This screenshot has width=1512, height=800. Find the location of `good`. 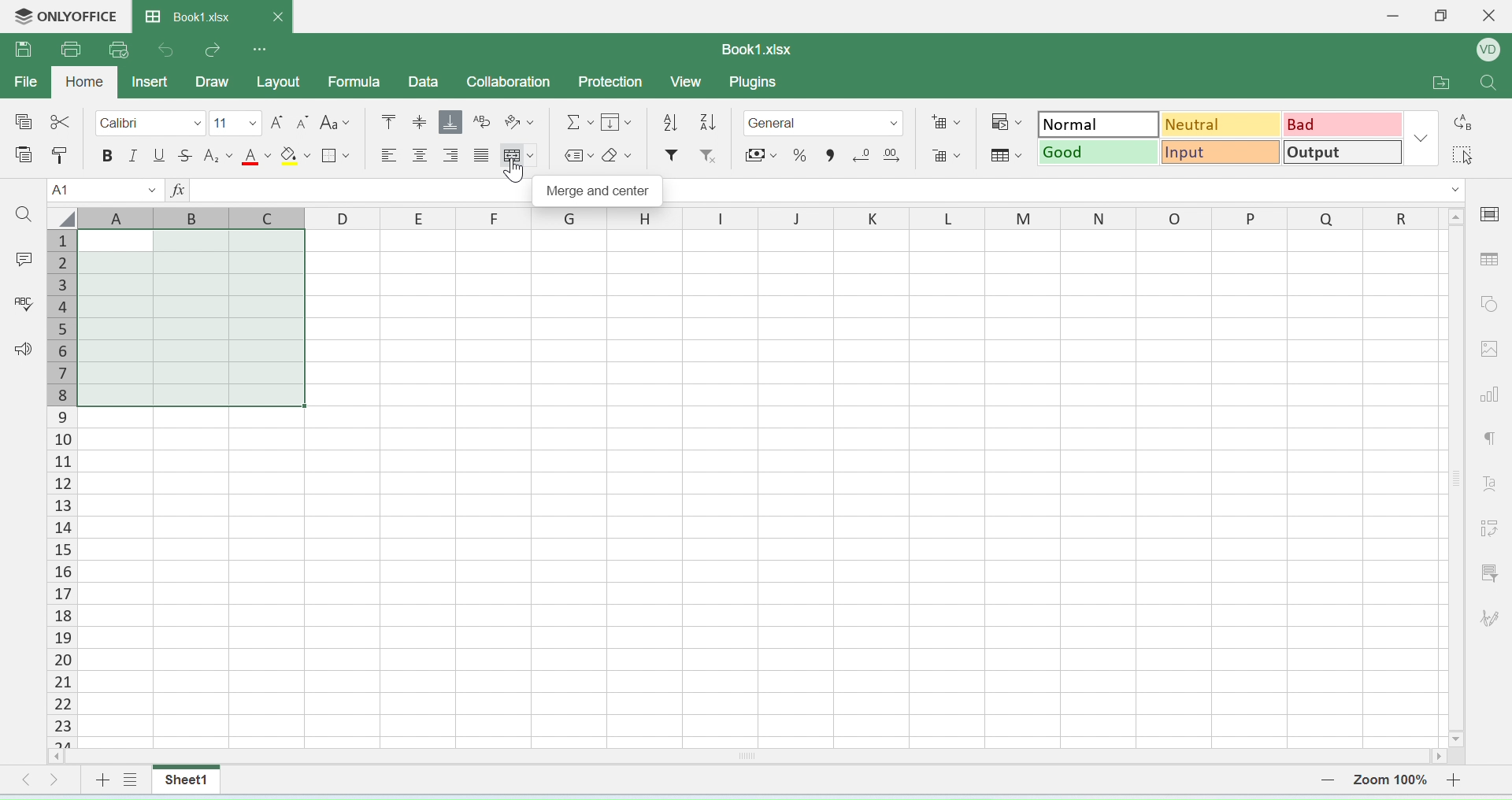

good is located at coordinates (1097, 152).